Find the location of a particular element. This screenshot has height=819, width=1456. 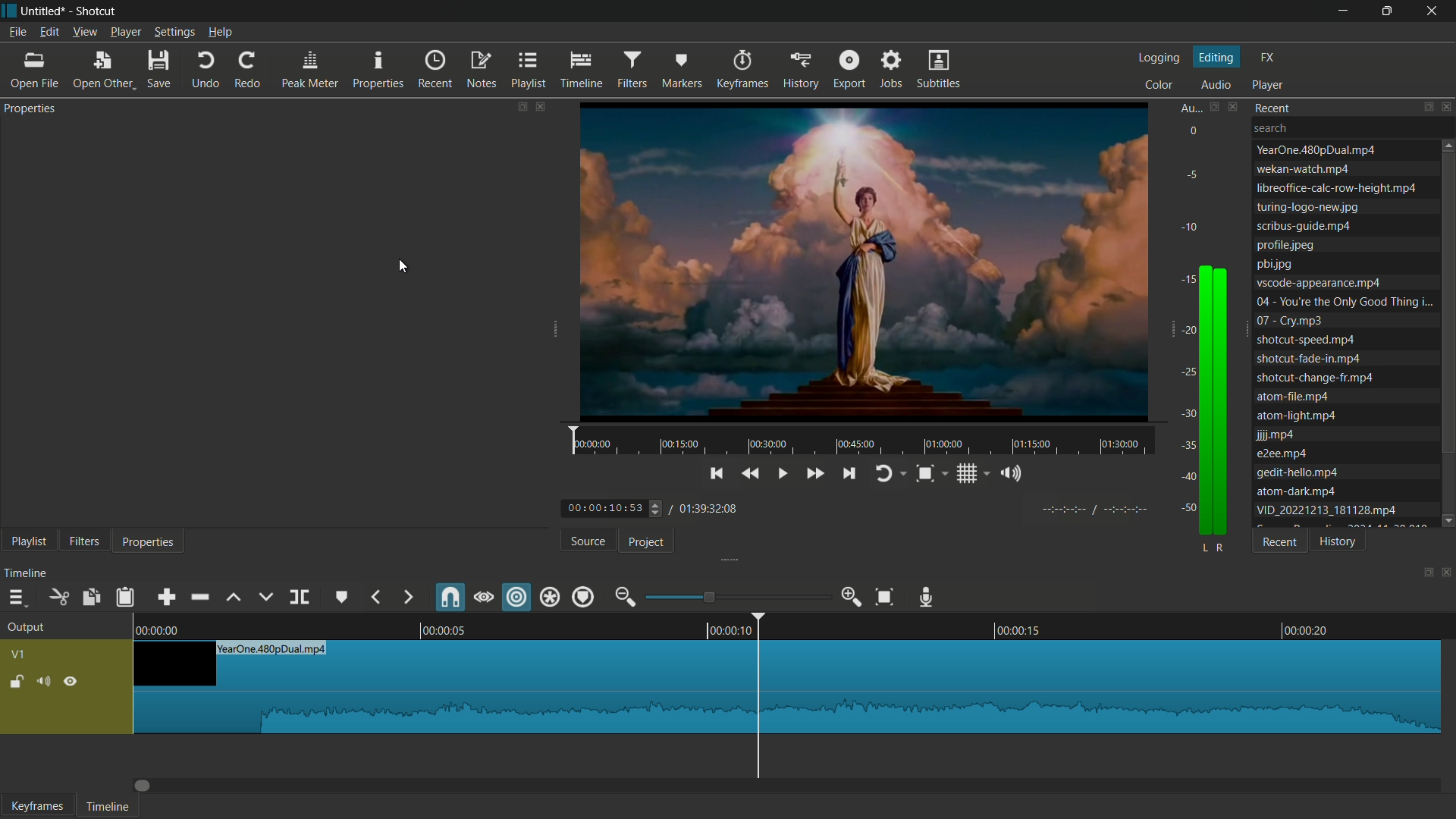

settings menu is located at coordinates (174, 33).